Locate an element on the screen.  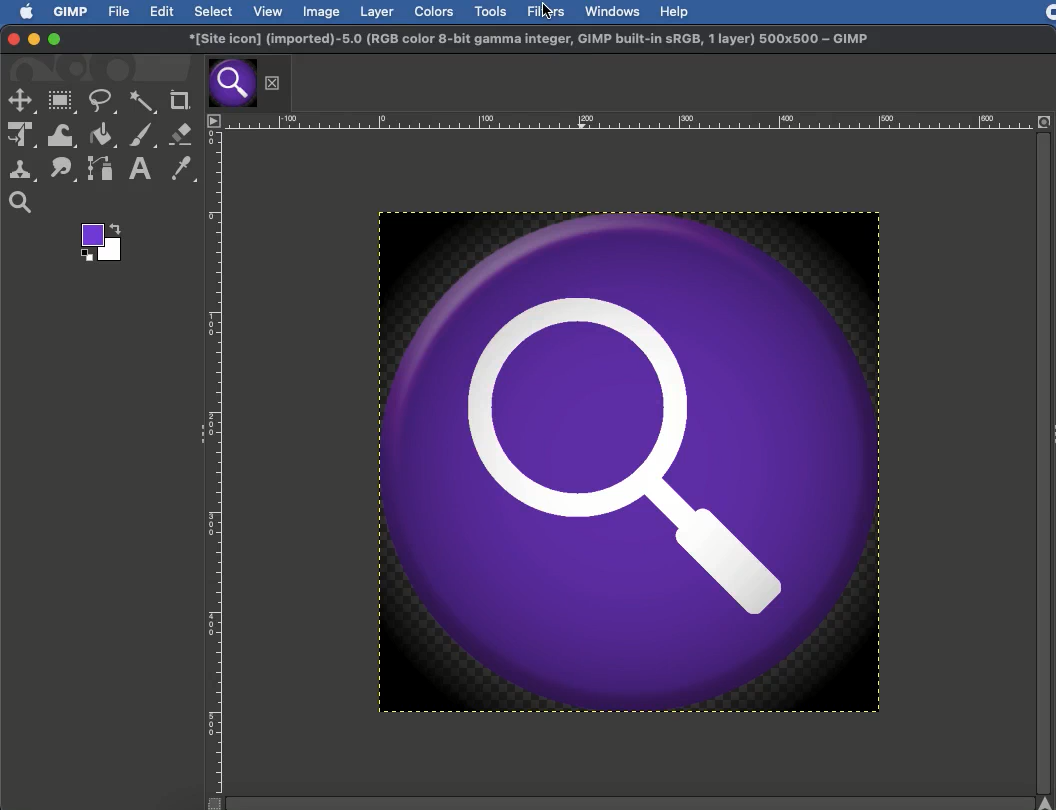
 is located at coordinates (215, 462).